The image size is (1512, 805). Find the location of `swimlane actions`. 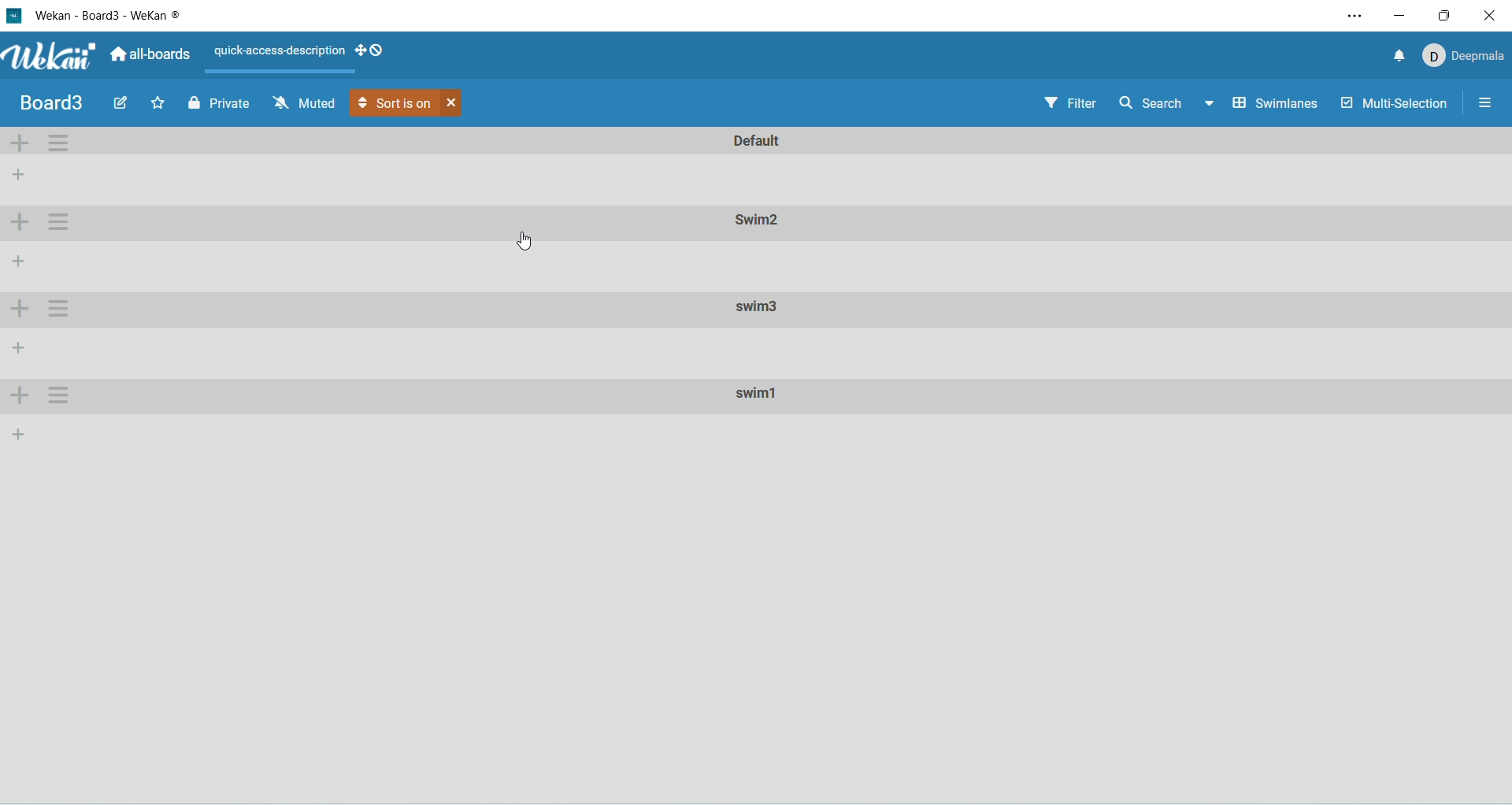

swimlane actions is located at coordinates (60, 142).